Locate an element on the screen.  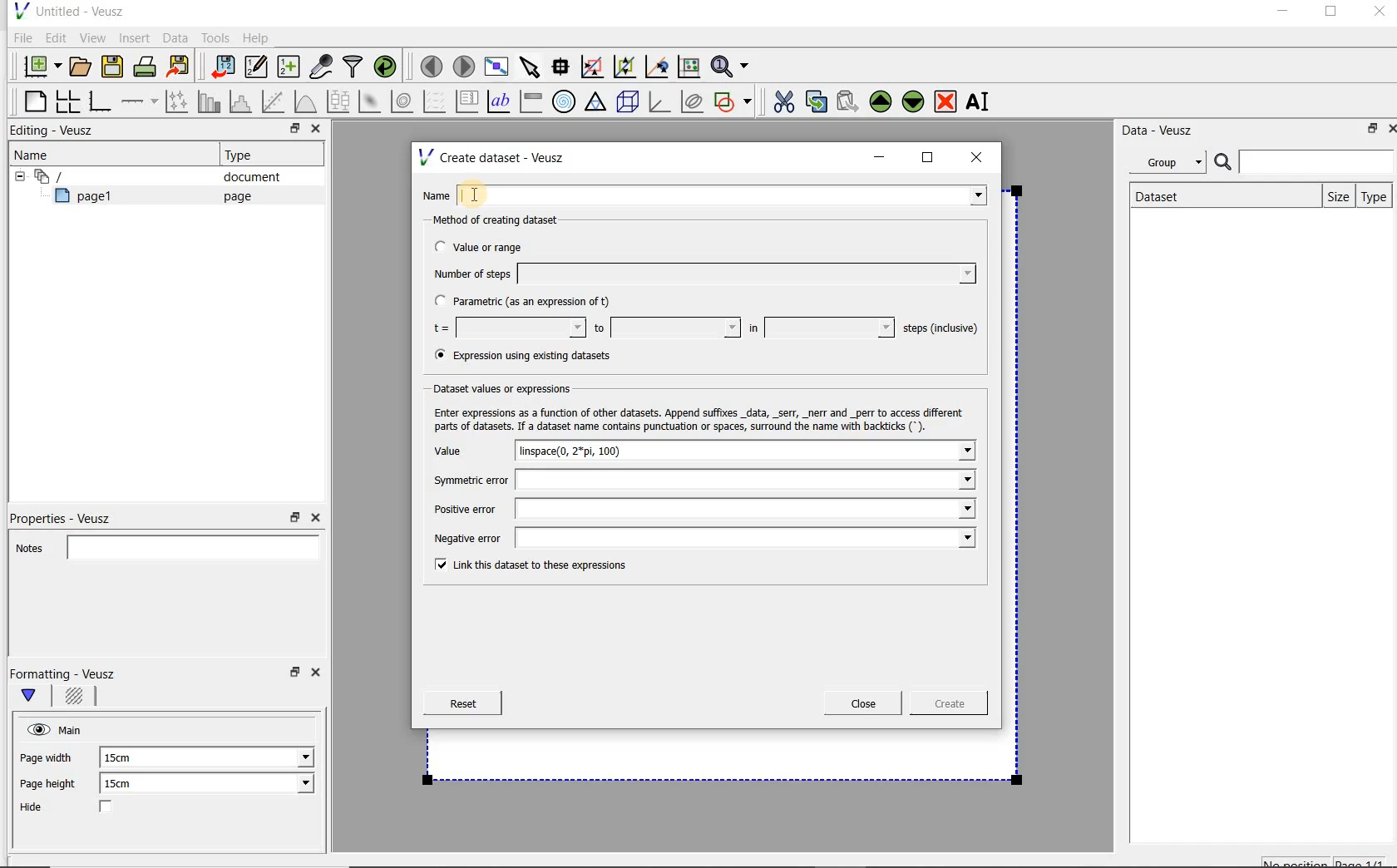
Document widget is located at coordinates (78, 176).